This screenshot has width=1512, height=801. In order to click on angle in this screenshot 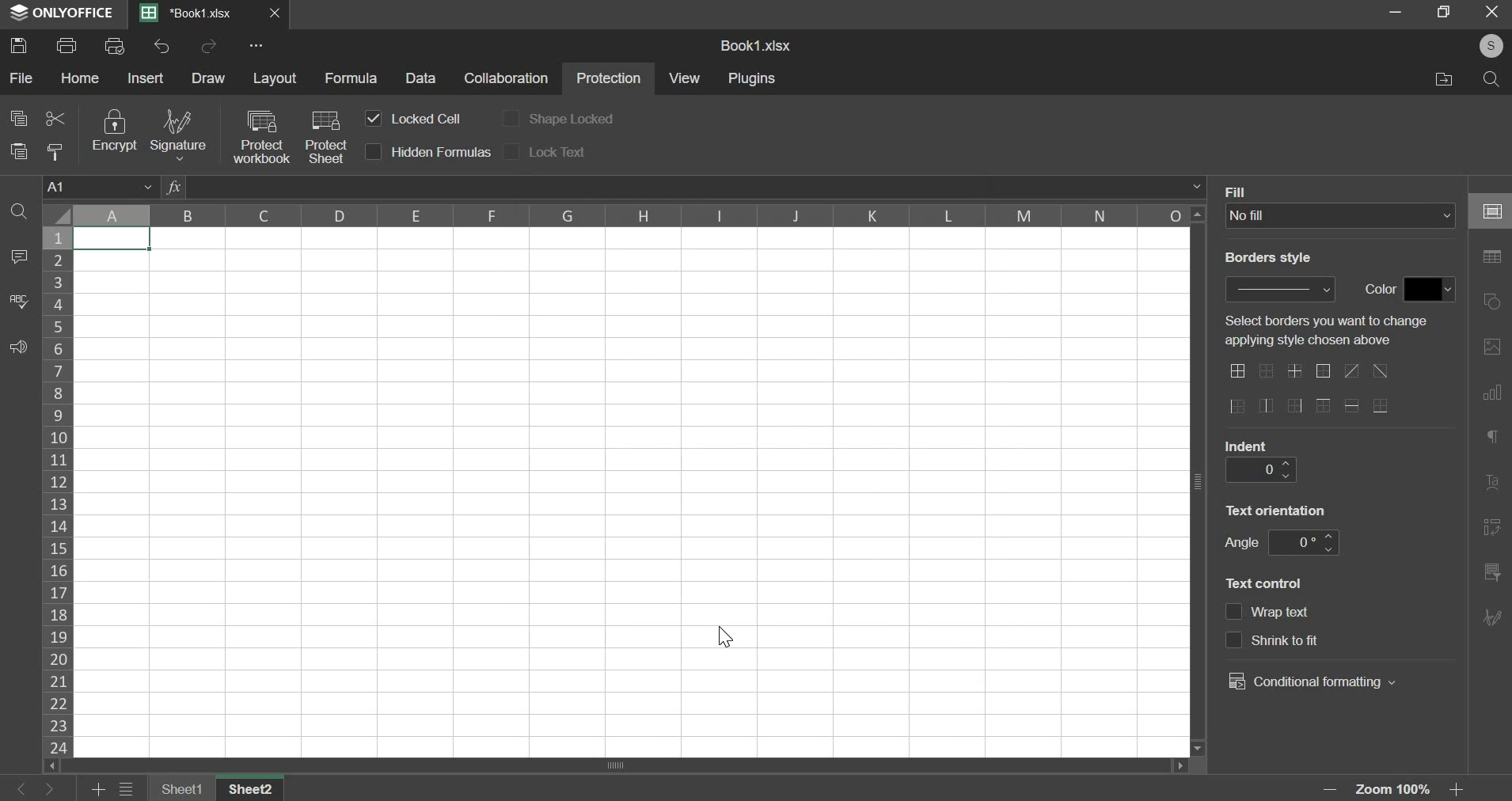, I will do `click(1240, 542)`.